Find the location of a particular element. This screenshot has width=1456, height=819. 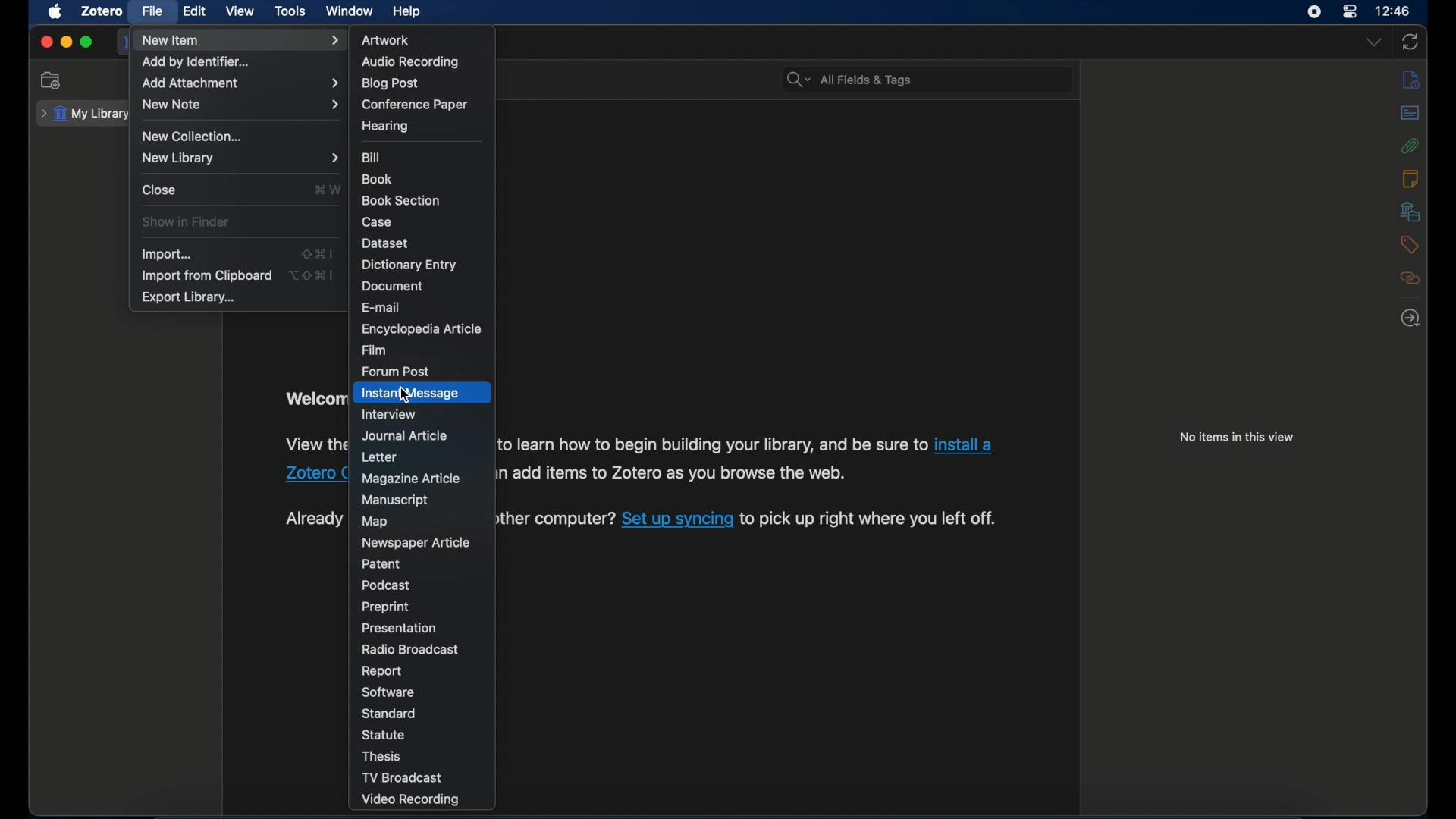

patent is located at coordinates (383, 563).